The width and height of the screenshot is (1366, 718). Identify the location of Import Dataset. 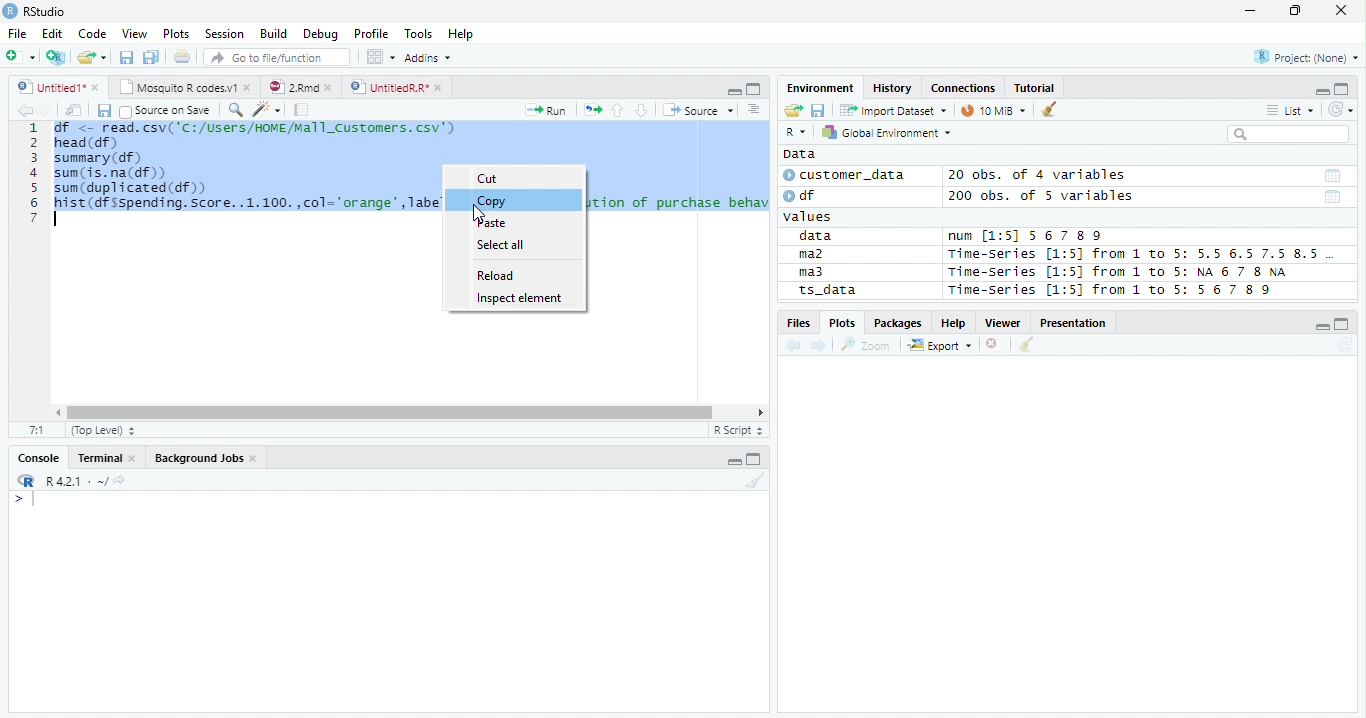
(891, 110).